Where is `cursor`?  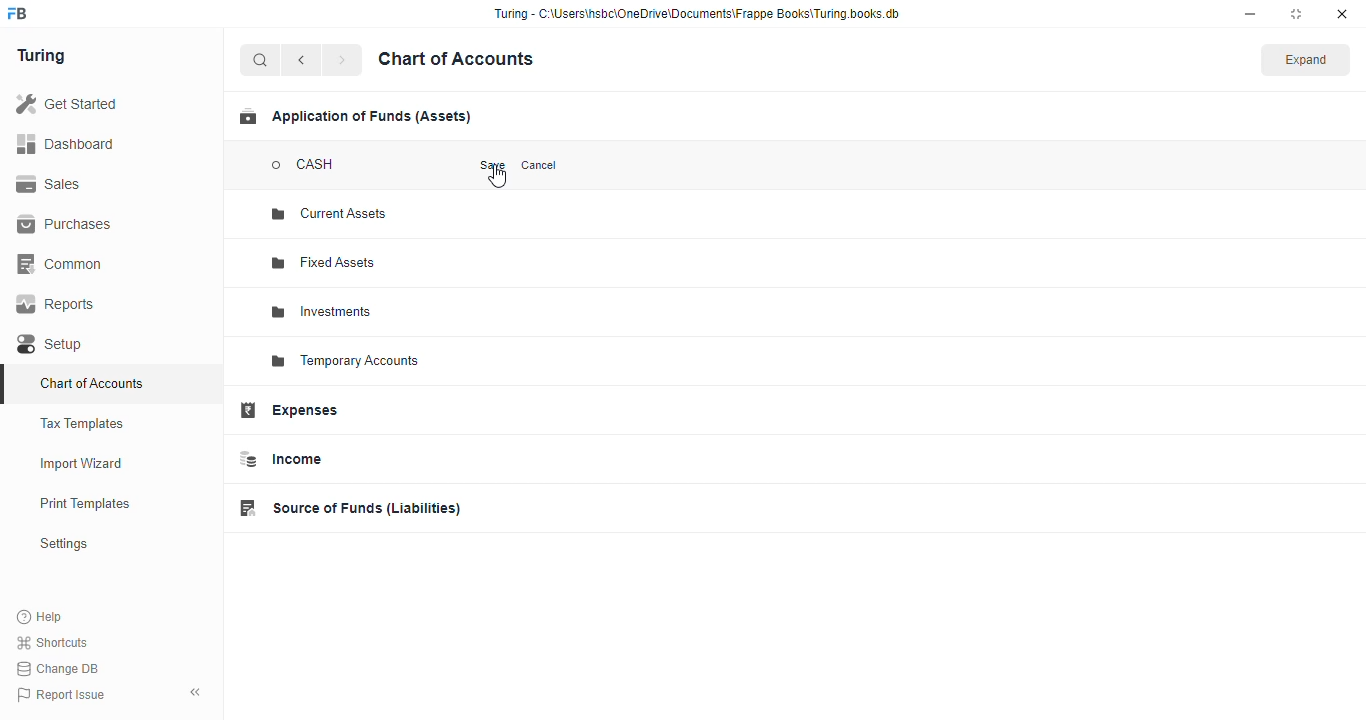 cursor is located at coordinates (498, 177).